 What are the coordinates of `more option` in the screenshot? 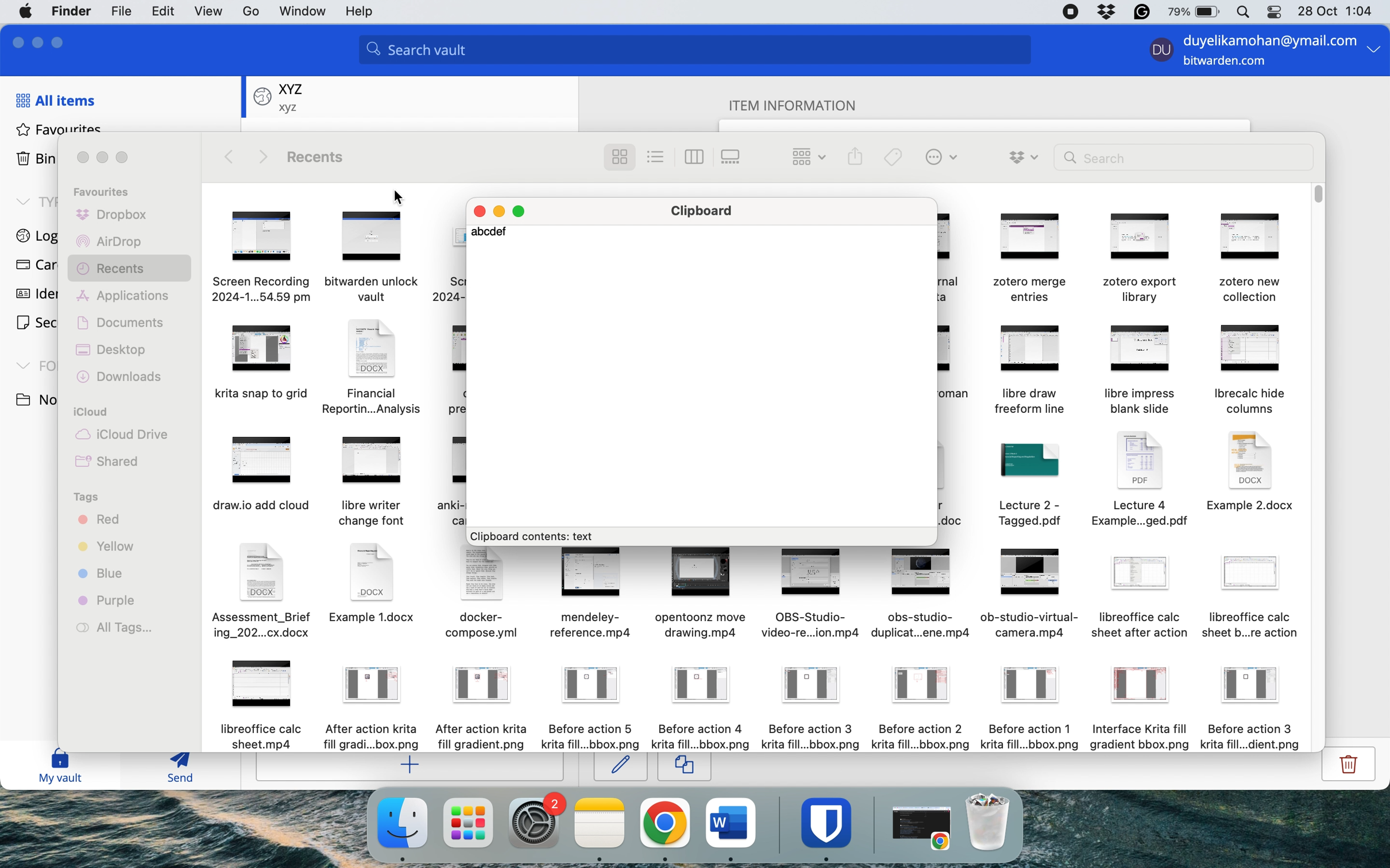 It's located at (1374, 52).